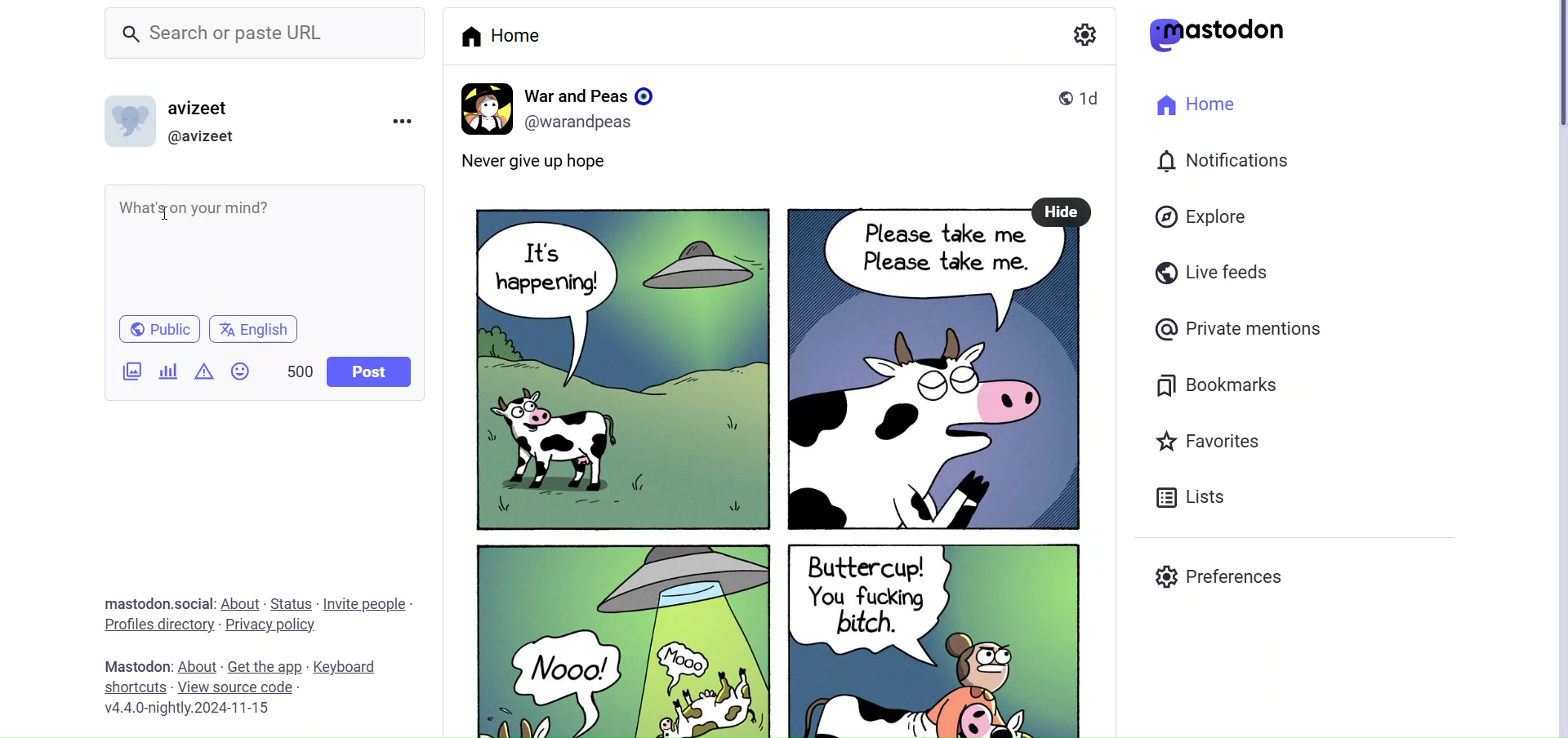 This screenshot has height=738, width=1568. I want to click on profiles directory, so click(158, 624).